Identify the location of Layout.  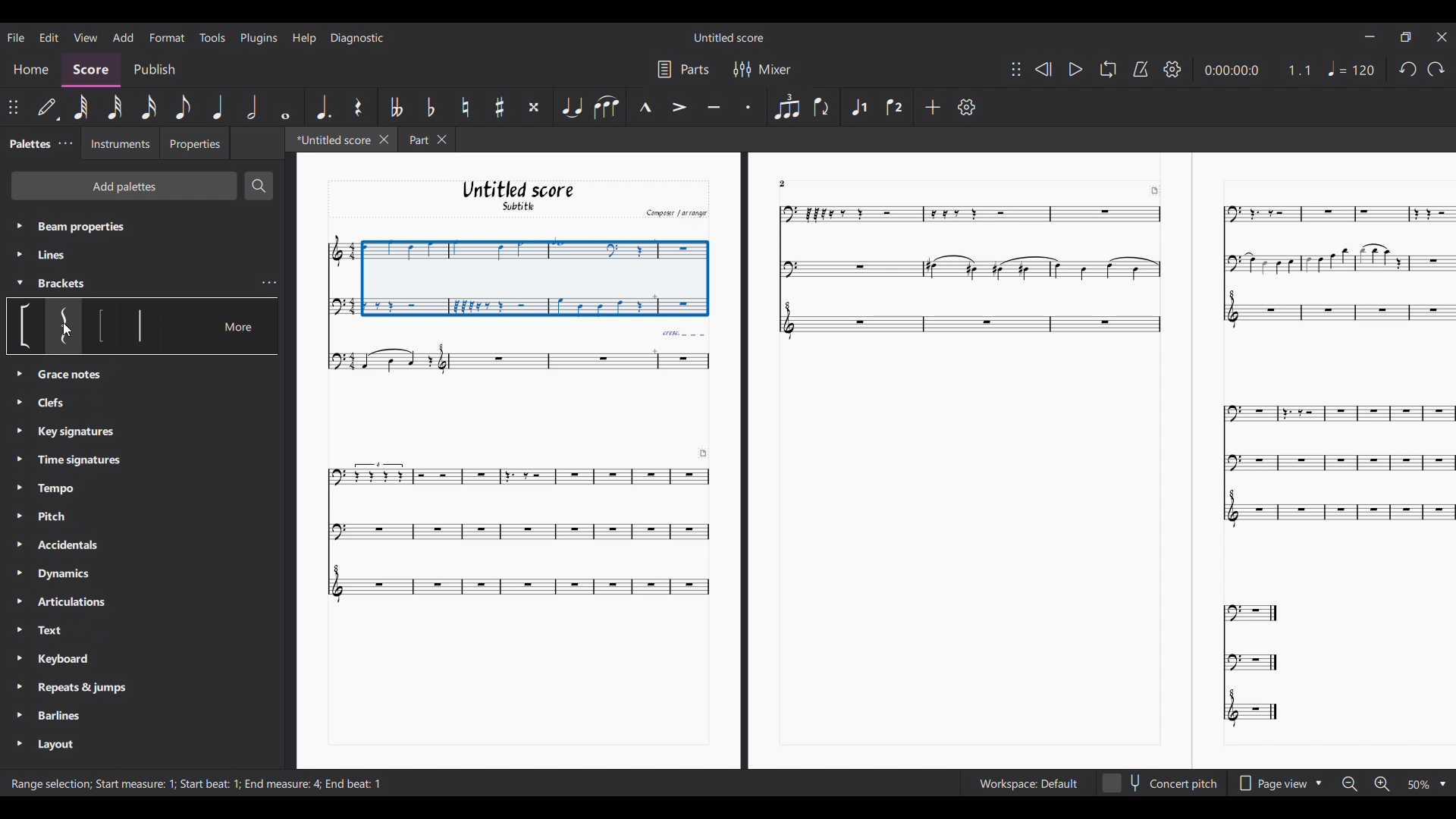
(54, 745).